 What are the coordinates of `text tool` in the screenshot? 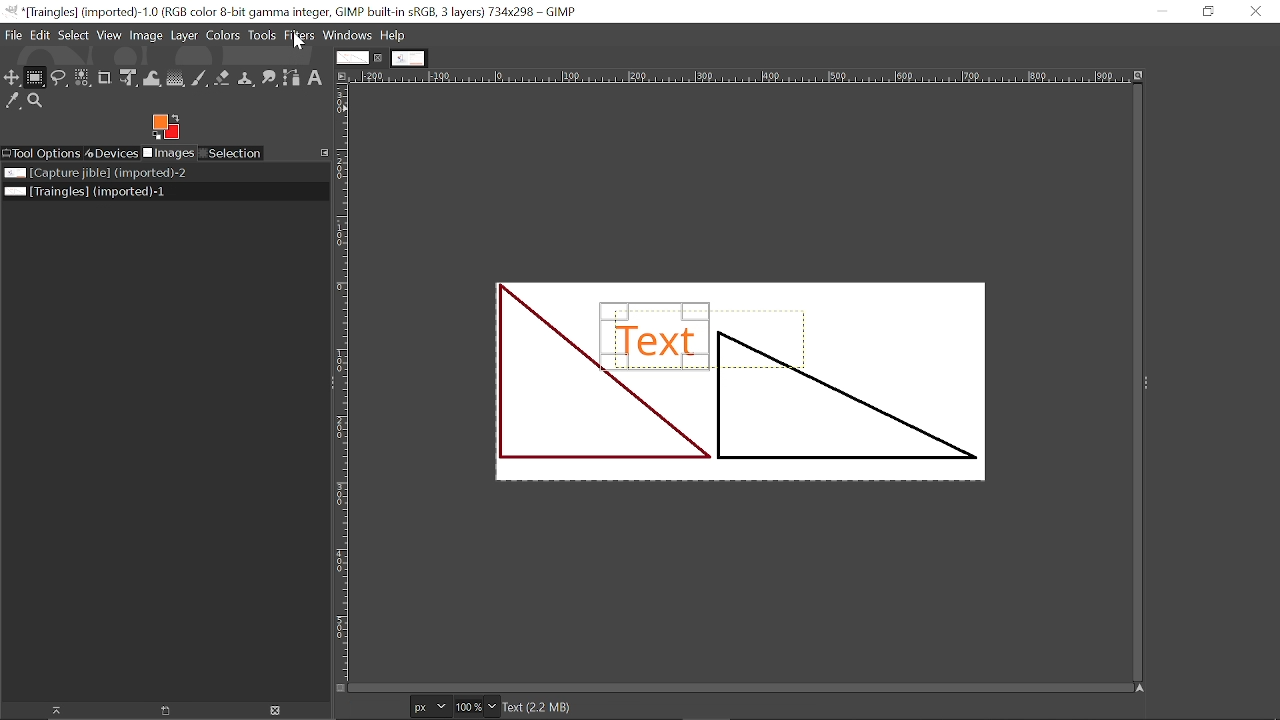 It's located at (316, 79).